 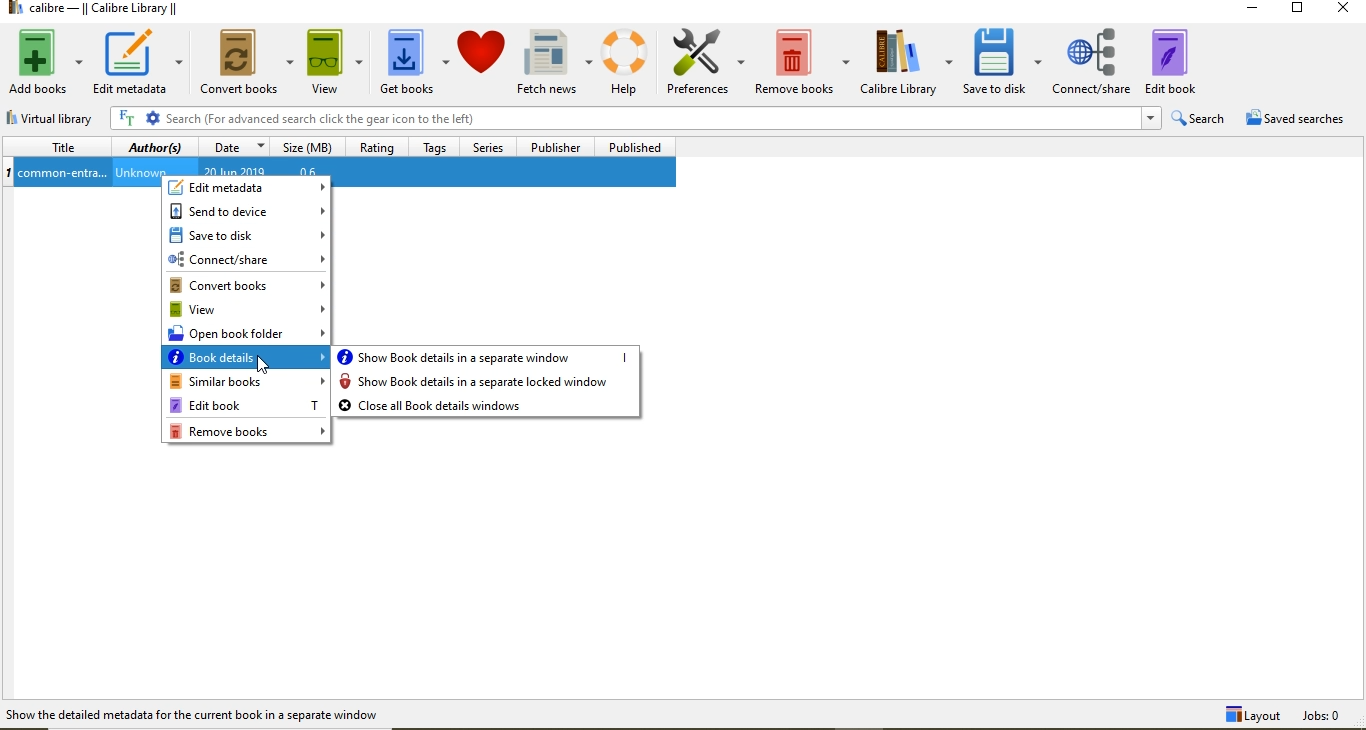 What do you see at coordinates (553, 147) in the screenshot?
I see `publisher` at bounding box center [553, 147].